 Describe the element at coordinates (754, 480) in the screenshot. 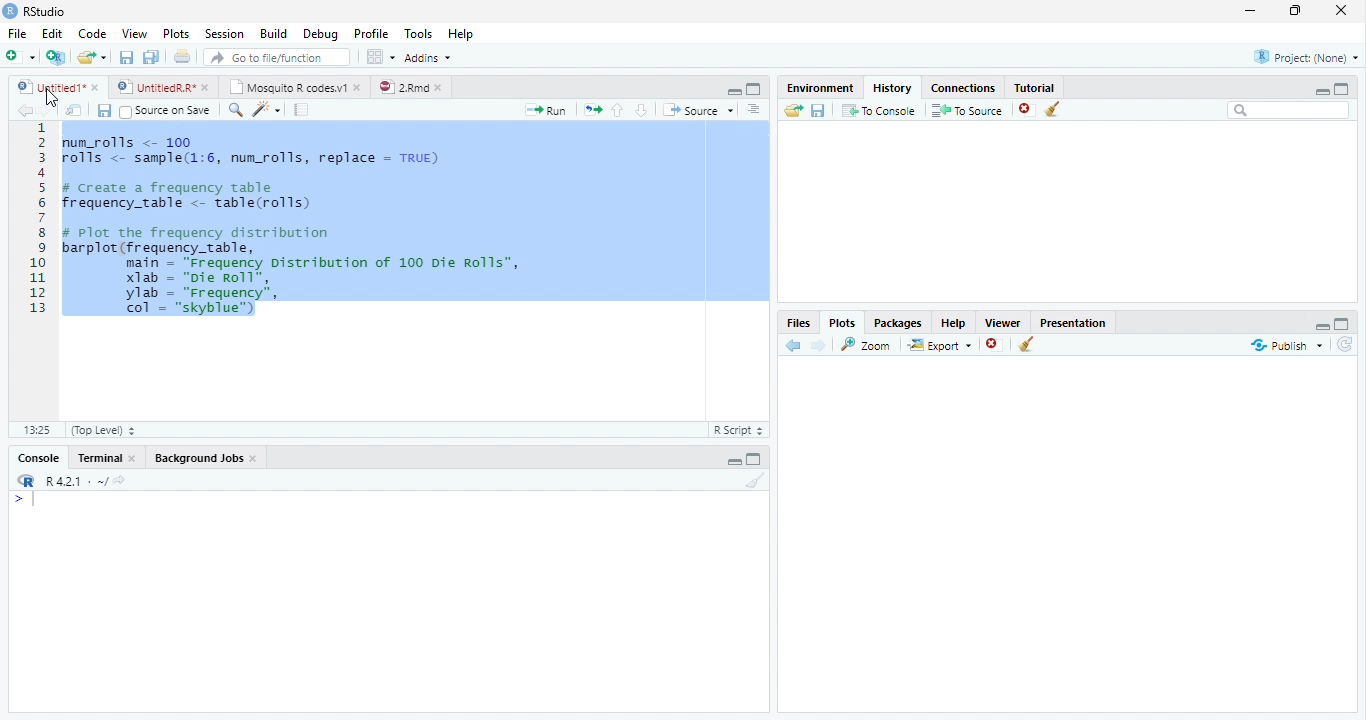

I see `Clear` at that location.